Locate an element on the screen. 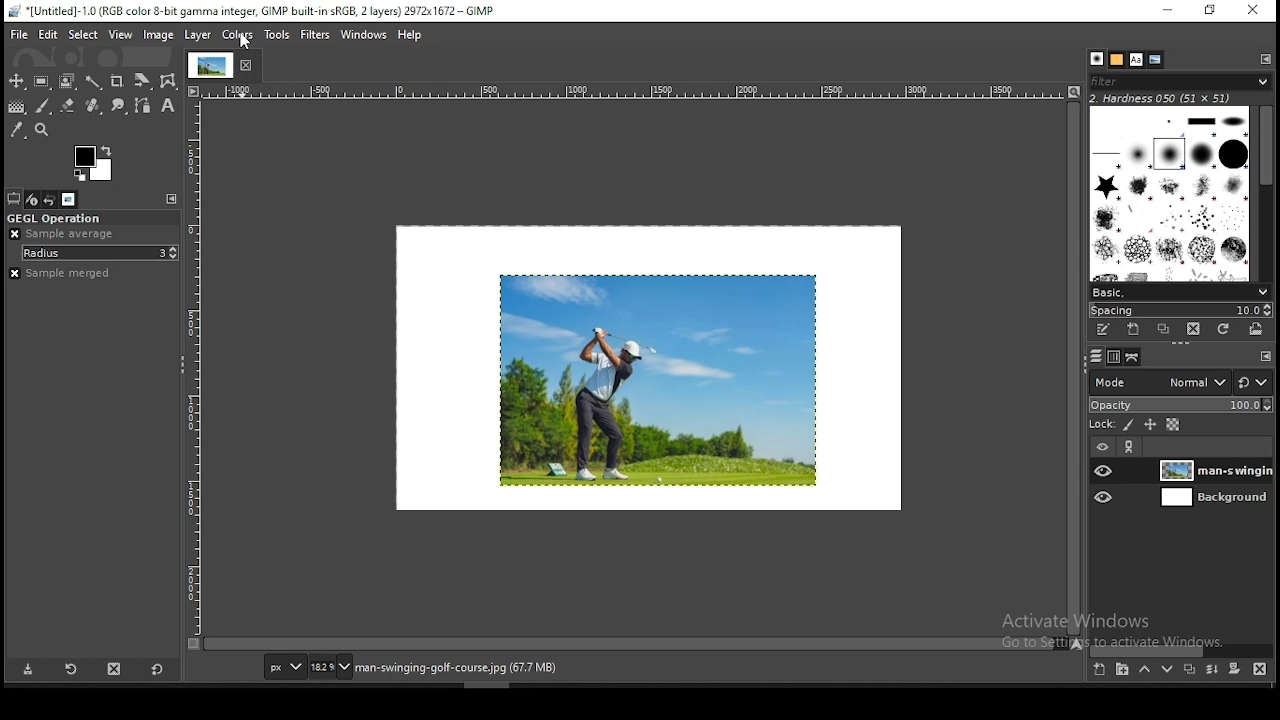 This screenshot has width=1280, height=720. layer is located at coordinates (195, 32).